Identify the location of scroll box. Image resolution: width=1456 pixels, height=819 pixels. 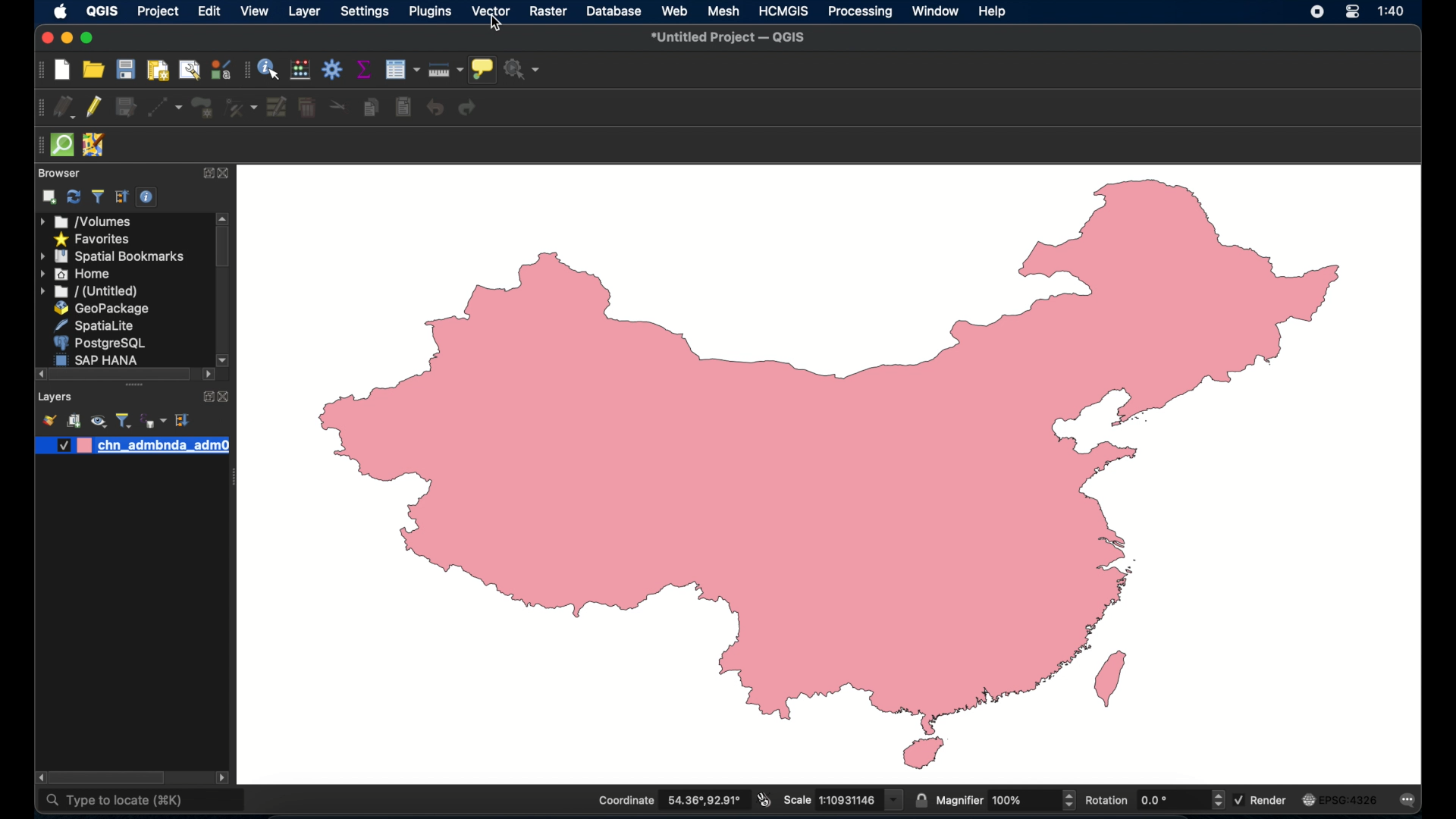
(119, 374).